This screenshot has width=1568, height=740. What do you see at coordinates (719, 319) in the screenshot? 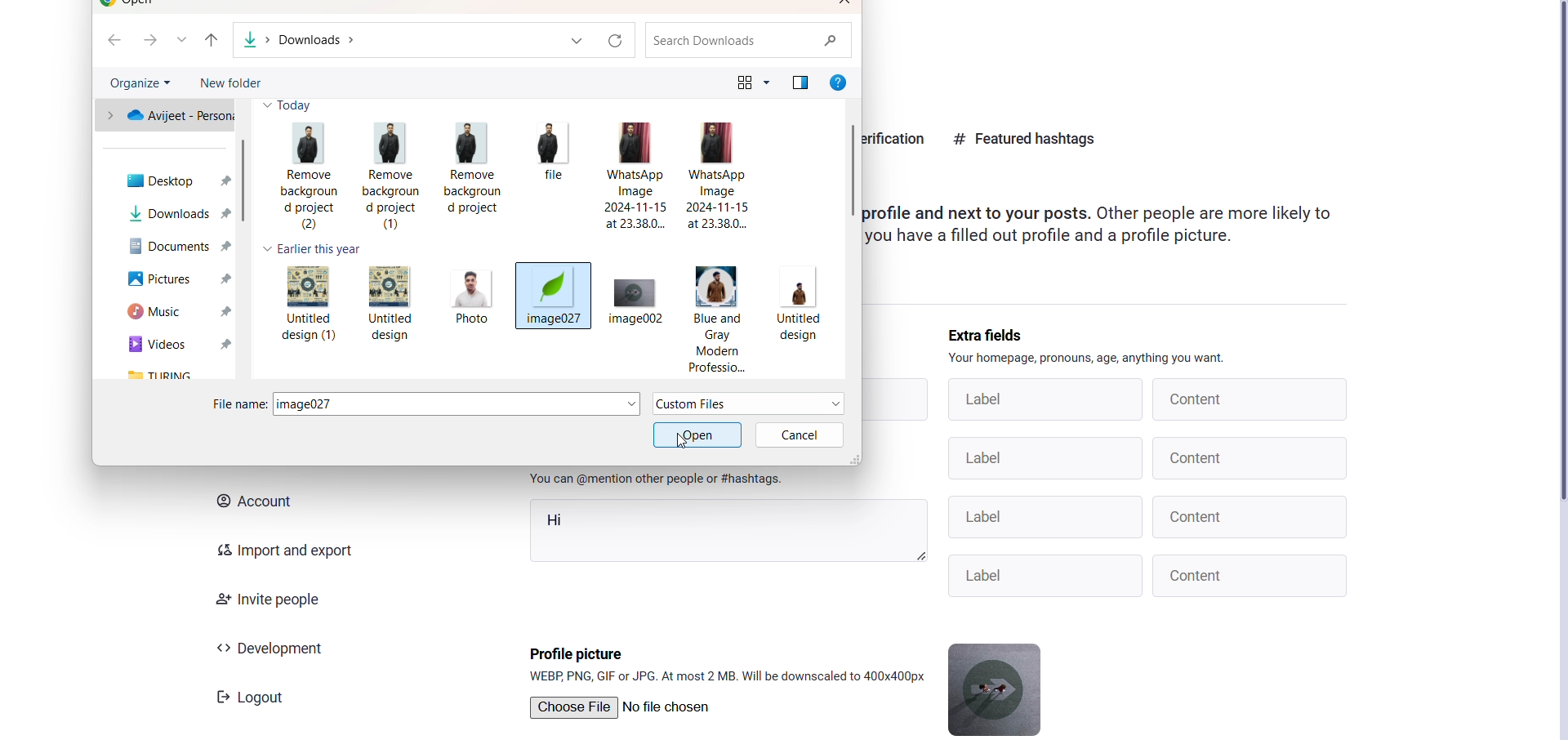
I see `Blue and gray modem` at bounding box center [719, 319].